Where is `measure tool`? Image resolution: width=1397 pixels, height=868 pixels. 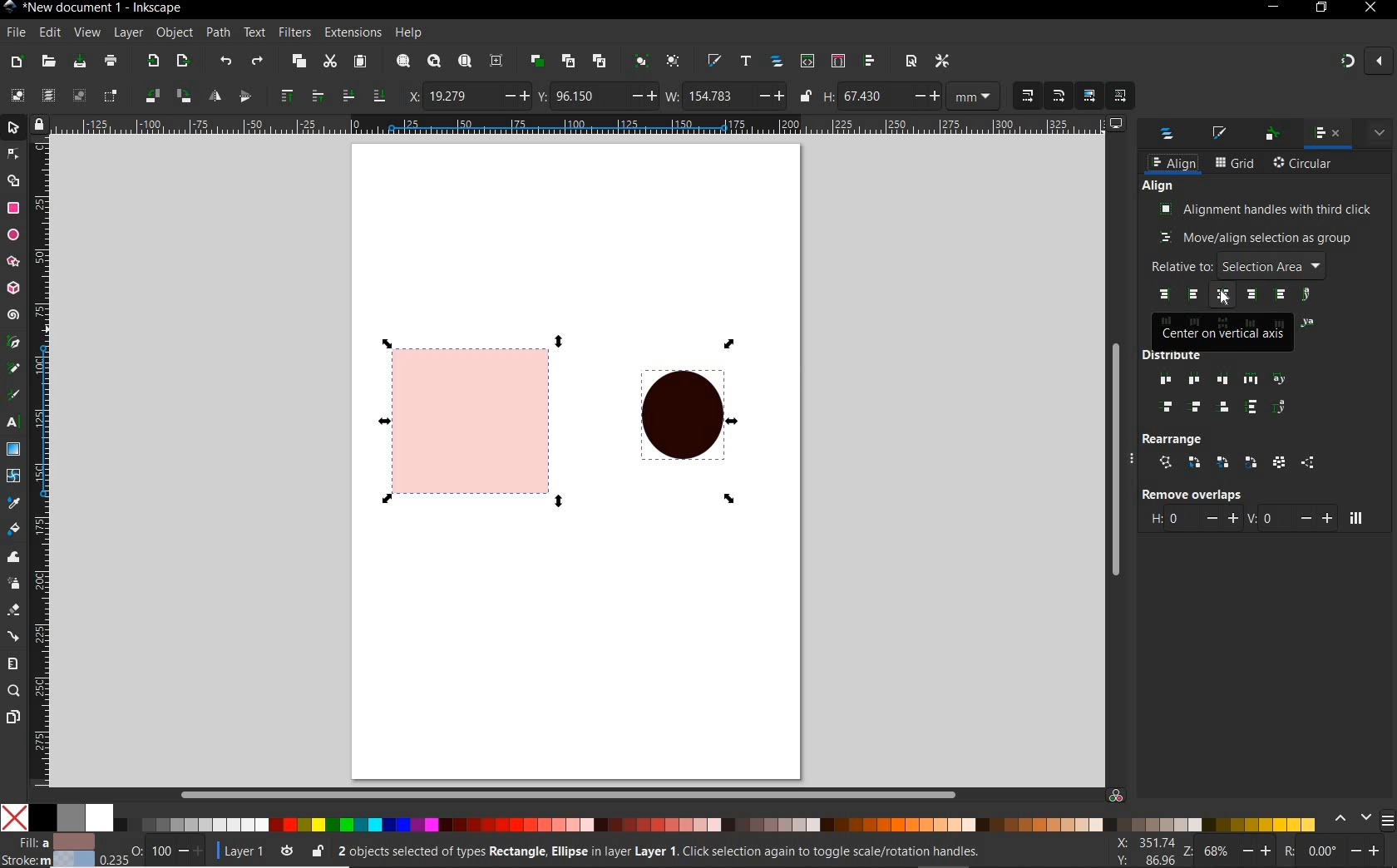
measure tool is located at coordinates (12, 664).